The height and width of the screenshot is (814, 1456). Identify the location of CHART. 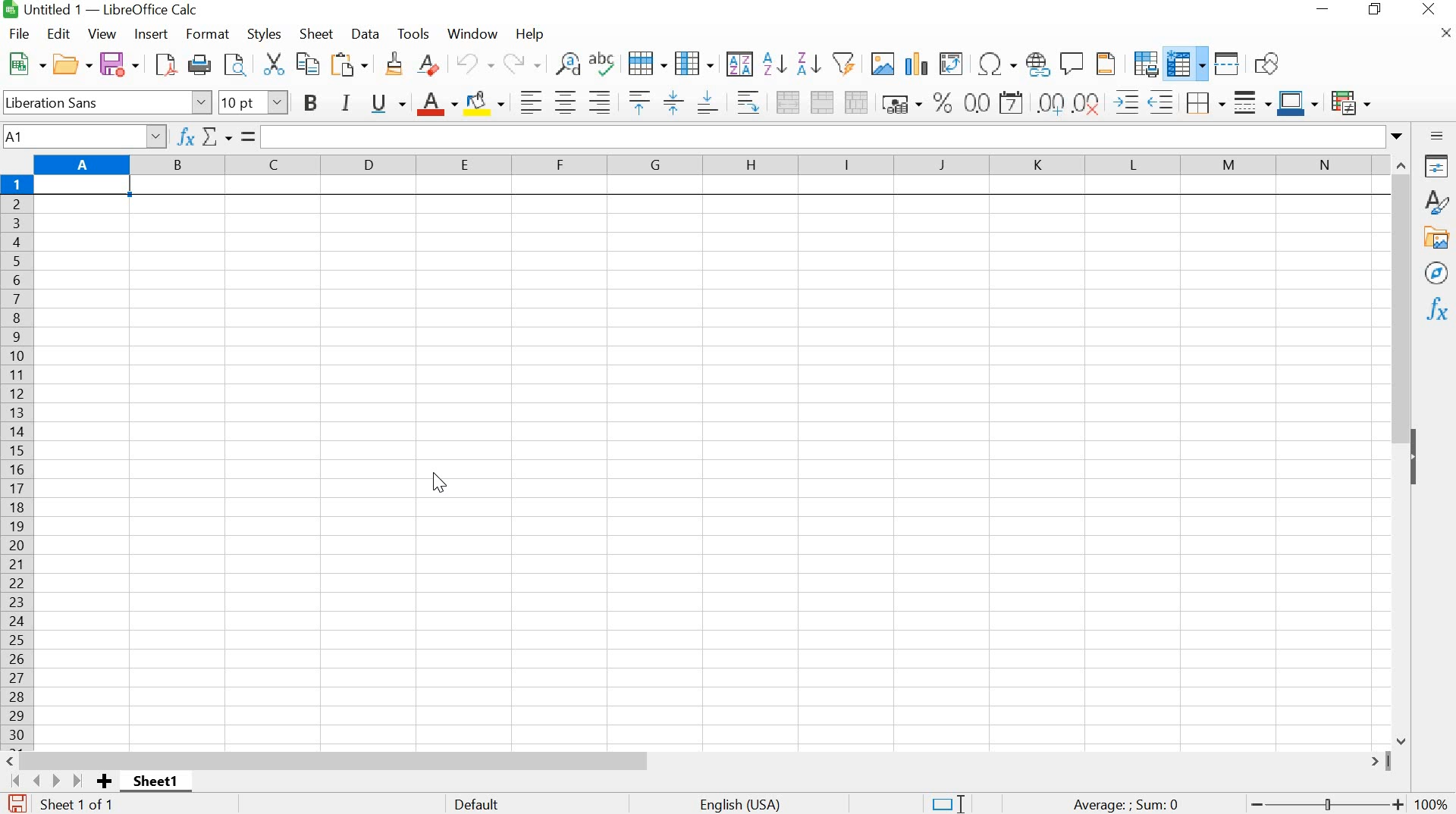
(915, 64).